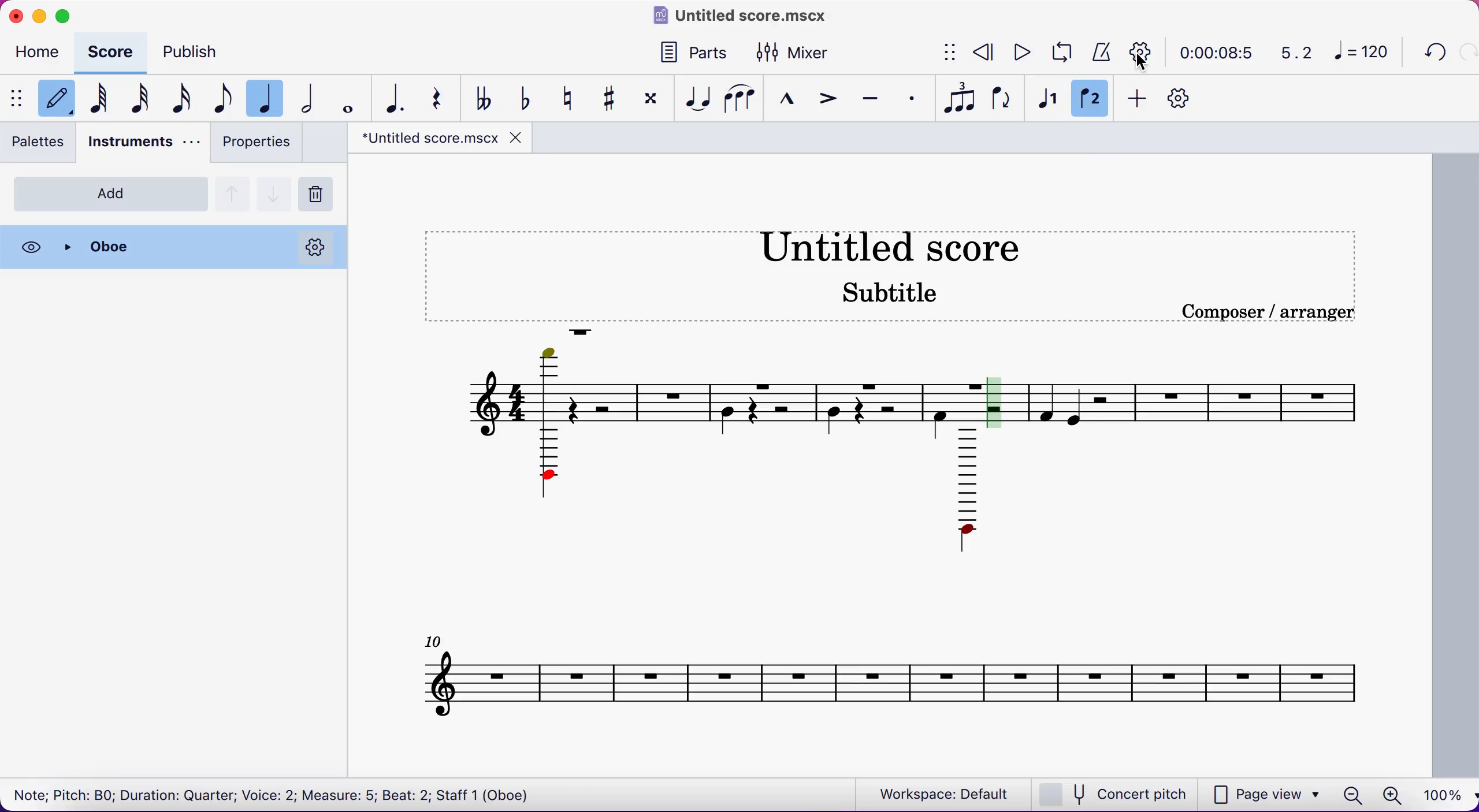  Describe the element at coordinates (947, 794) in the screenshot. I see `workspace: default` at that location.